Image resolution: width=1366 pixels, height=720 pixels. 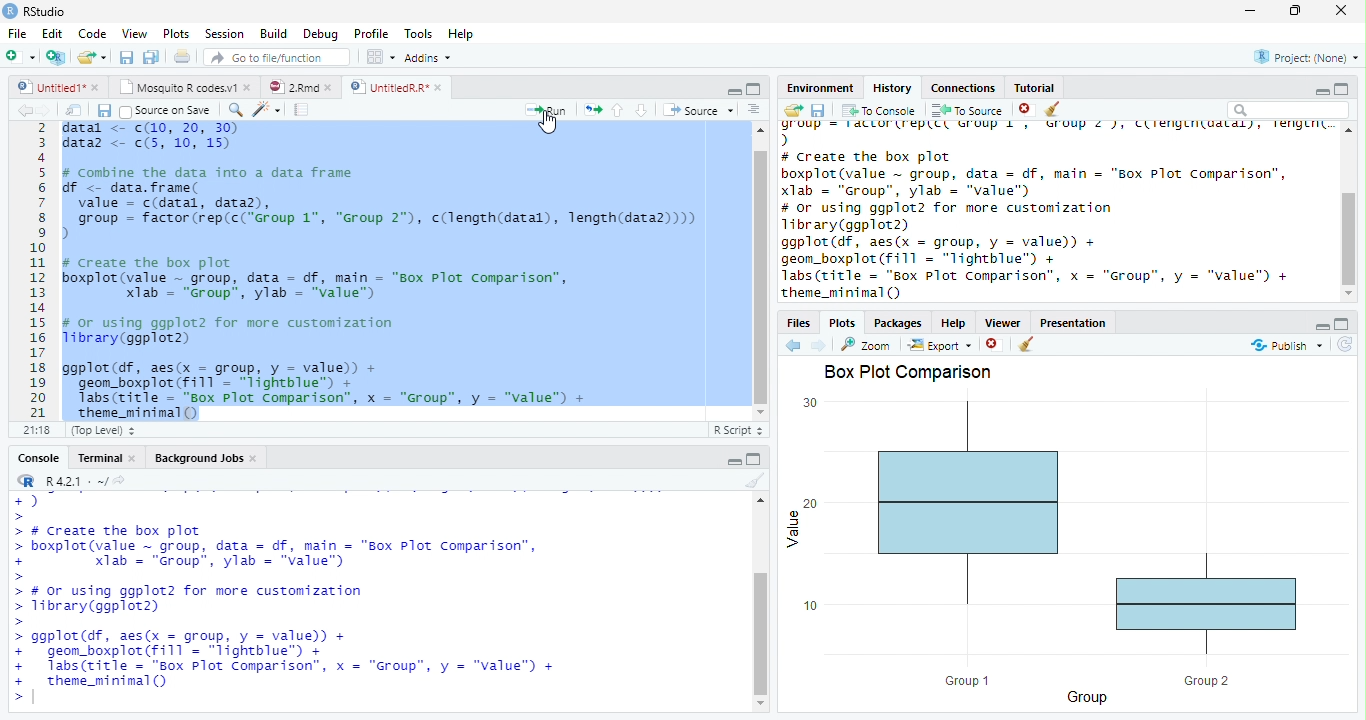 What do you see at coordinates (76, 480) in the screenshot?
I see `R 4.2.1 . ~/` at bounding box center [76, 480].